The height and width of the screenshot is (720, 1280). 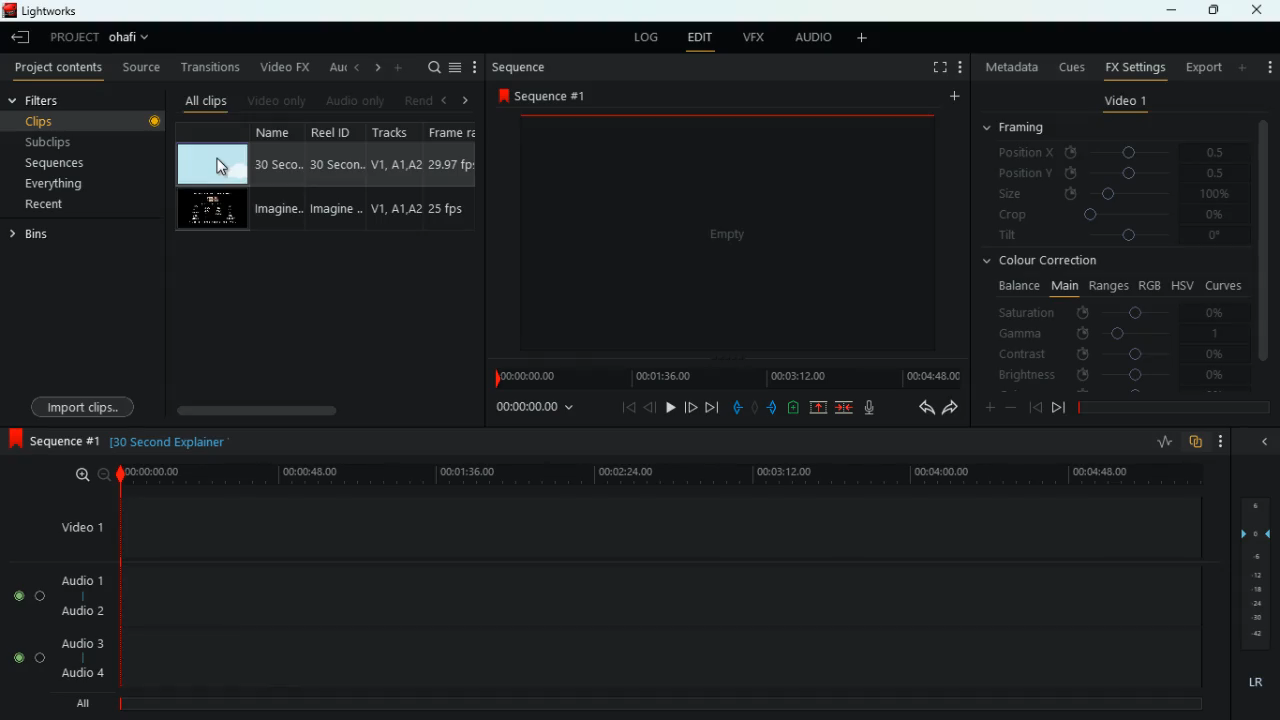 What do you see at coordinates (1112, 151) in the screenshot?
I see `position x` at bounding box center [1112, 151].